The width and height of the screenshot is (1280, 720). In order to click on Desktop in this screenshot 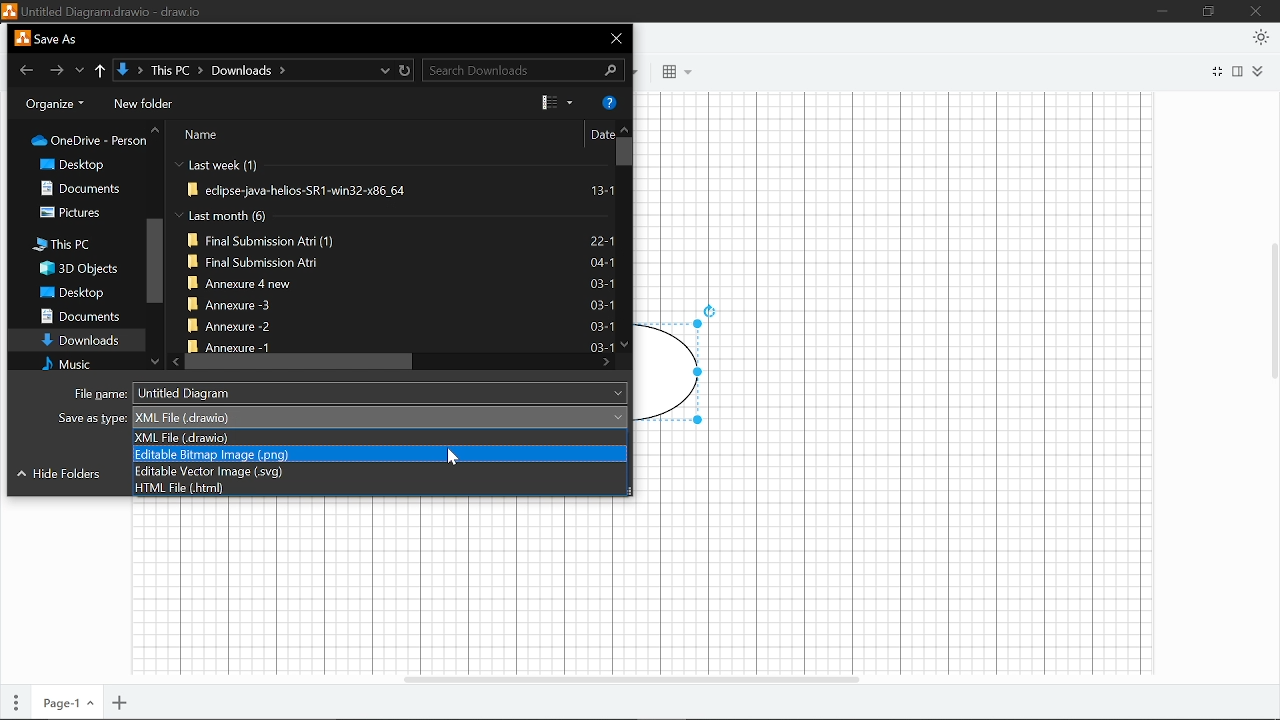, I will do `click(73, 293)`.